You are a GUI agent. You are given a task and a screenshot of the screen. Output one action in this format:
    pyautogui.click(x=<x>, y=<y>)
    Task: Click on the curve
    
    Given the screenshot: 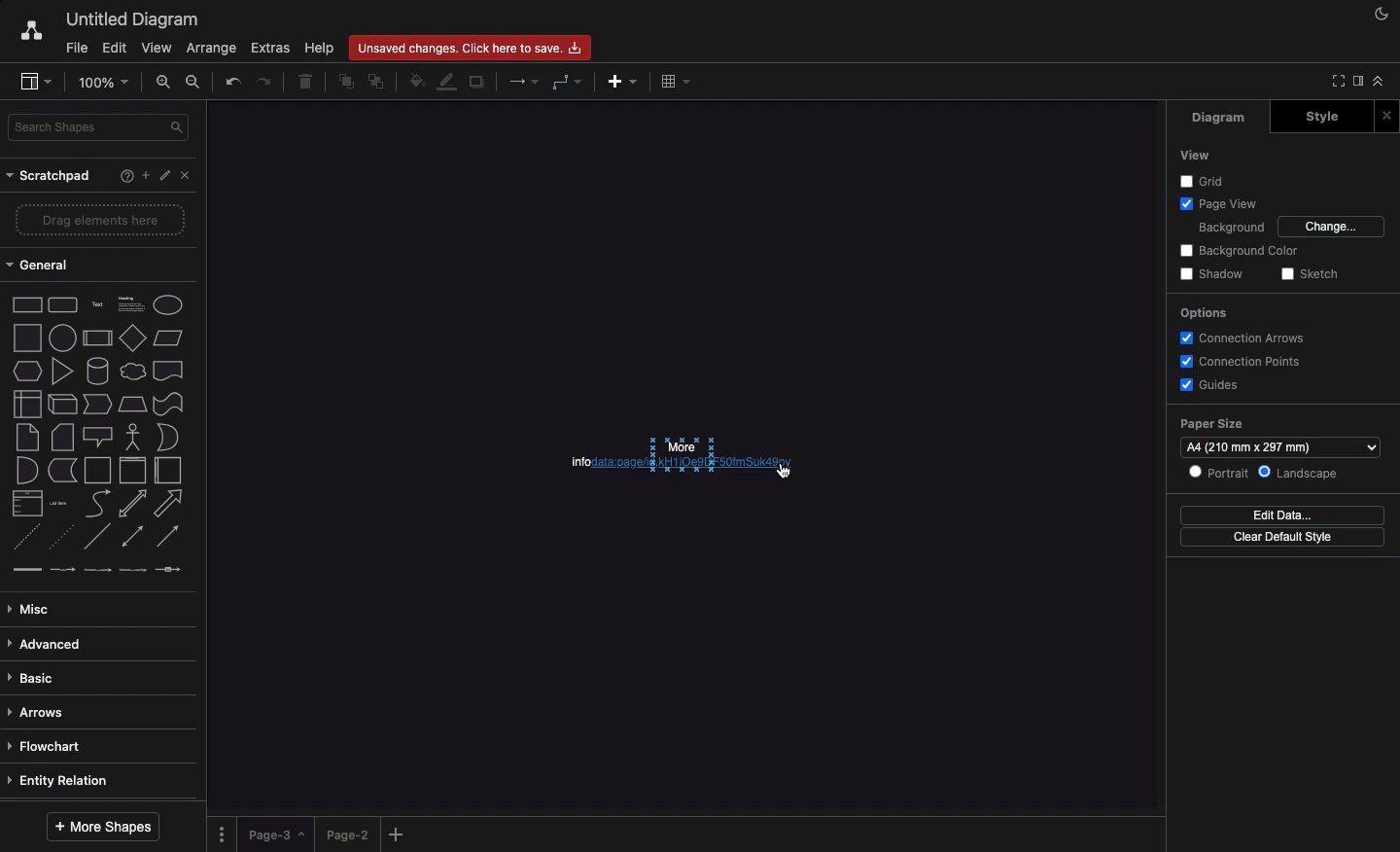 What is the action you would take?
    pyautogui.click(x=98, y=502)
    